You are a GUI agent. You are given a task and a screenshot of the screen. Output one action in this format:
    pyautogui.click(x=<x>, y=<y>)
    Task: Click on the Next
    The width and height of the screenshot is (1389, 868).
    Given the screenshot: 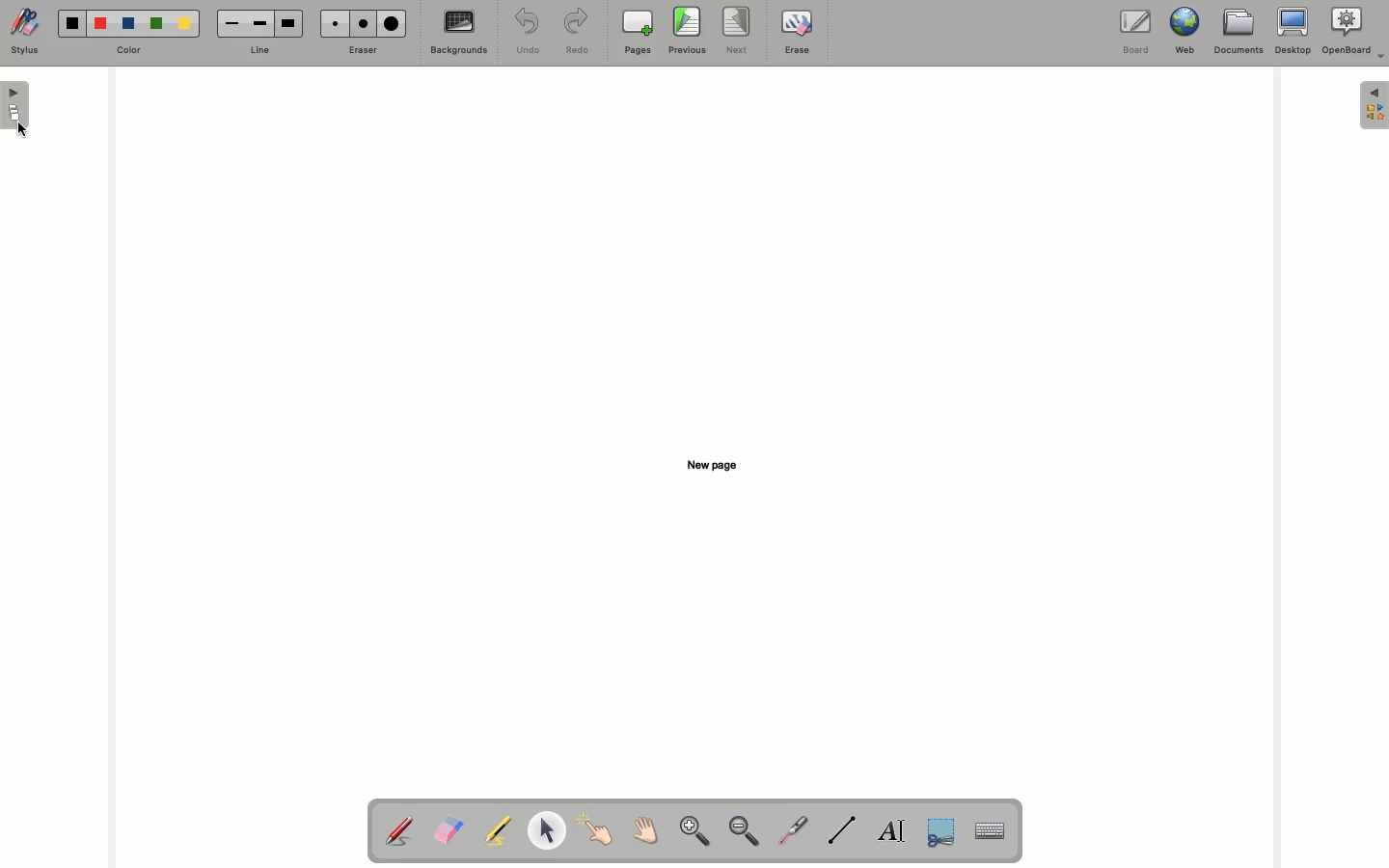 What is the action you would take?
    pyautogui.click(x=737, y=30)
    